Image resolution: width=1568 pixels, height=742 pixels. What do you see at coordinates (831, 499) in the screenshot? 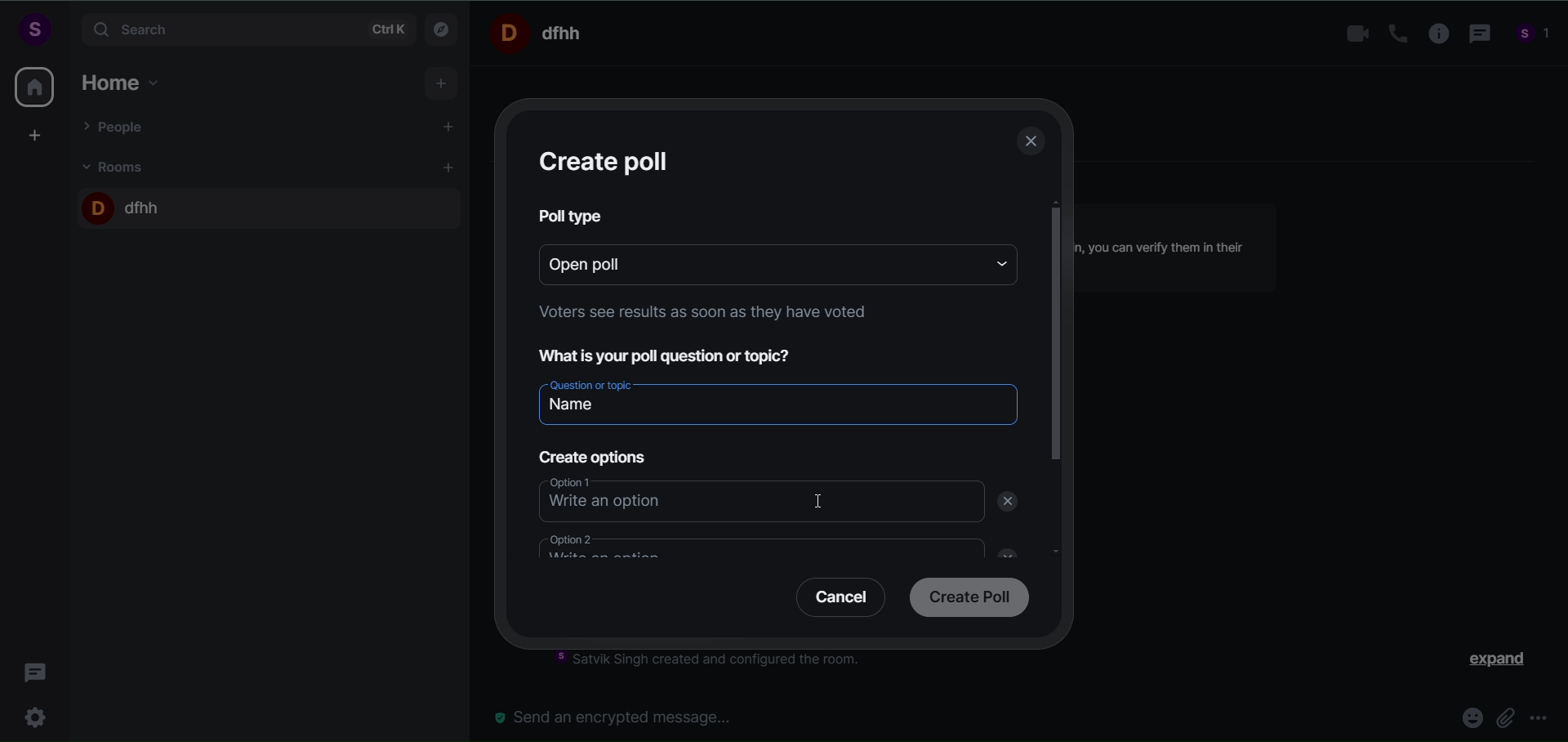
I see `Cursor` at bounding box center [831, 499].